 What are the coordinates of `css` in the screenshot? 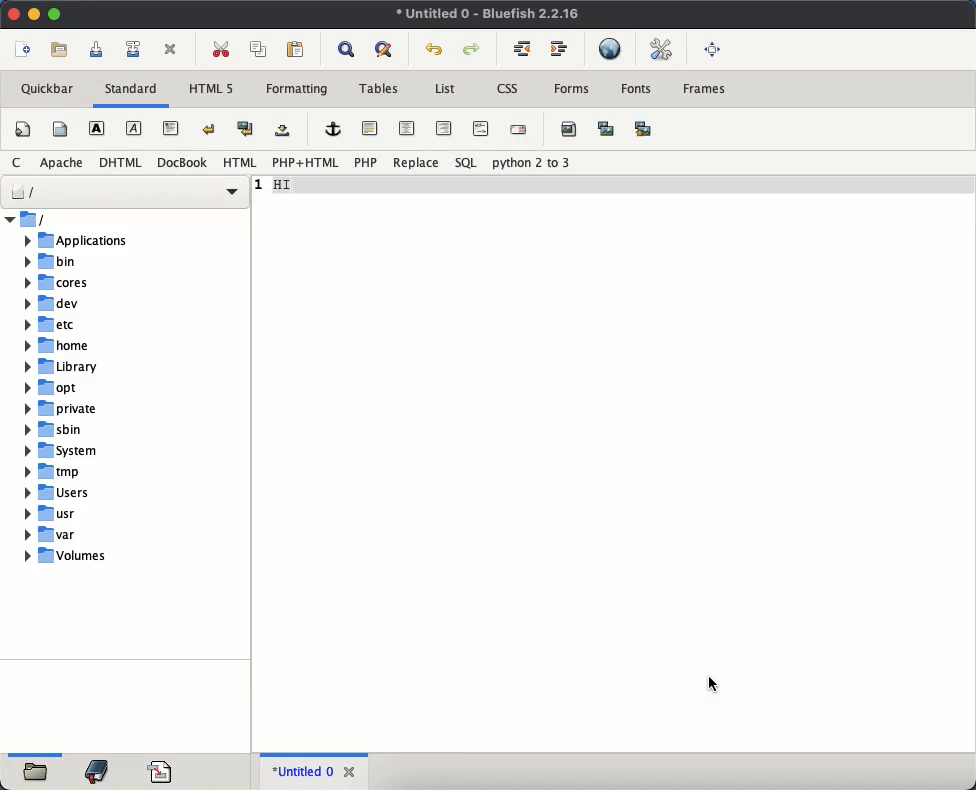 It's located at (508, 88).